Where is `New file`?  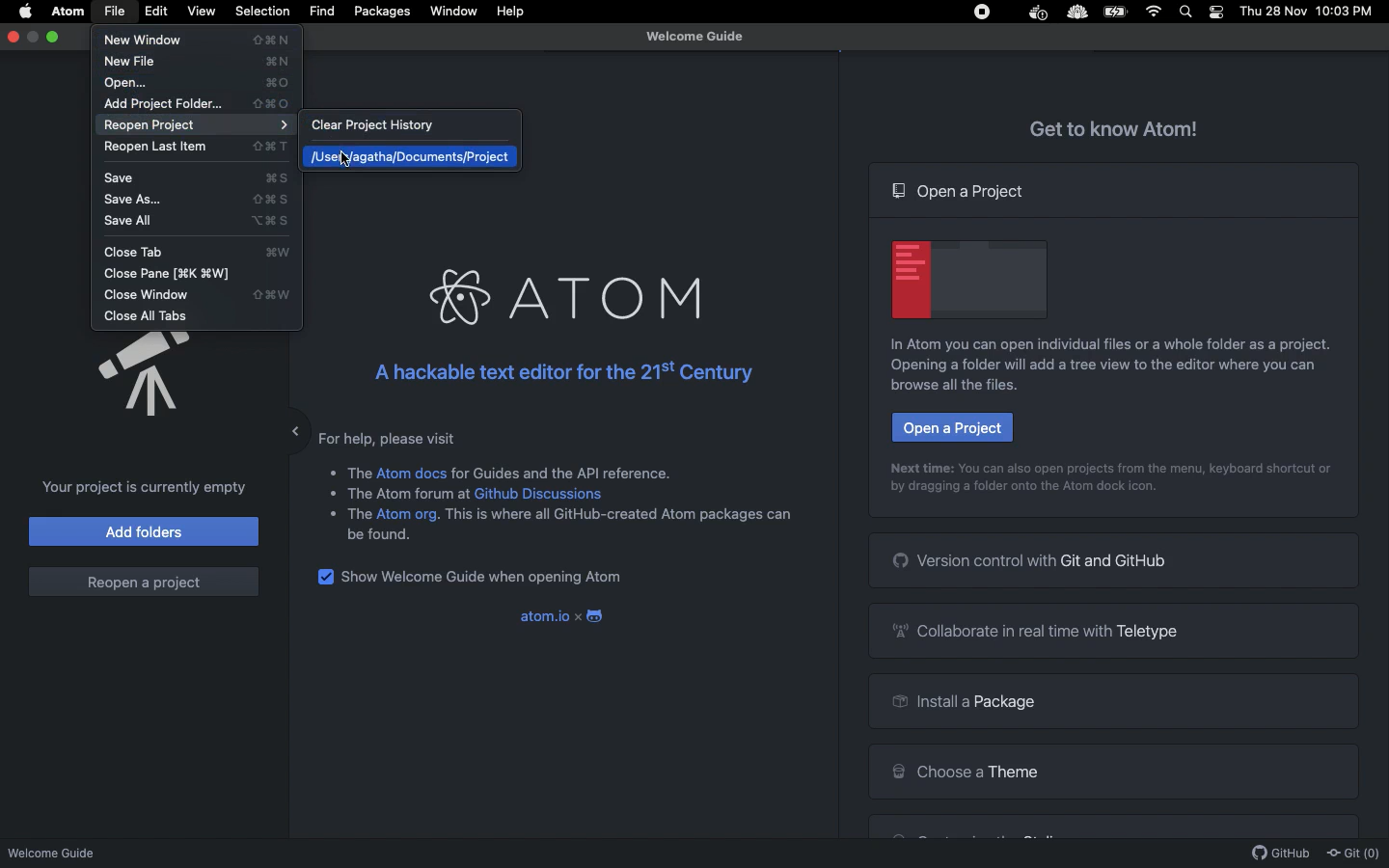
New file is located at coordinates (202, 61).